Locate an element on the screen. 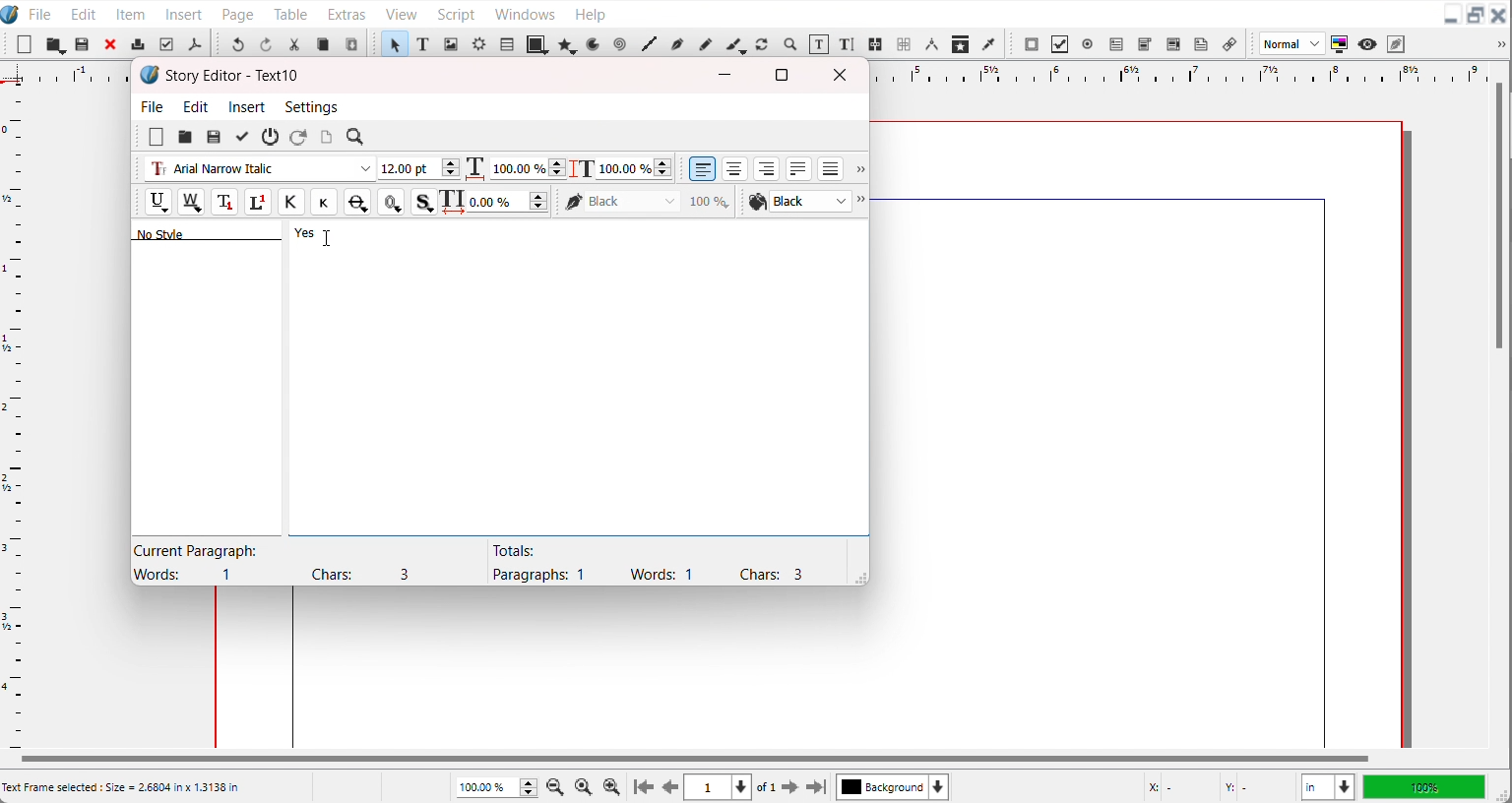  Preflight verifier is located at coordinates (165, 44).